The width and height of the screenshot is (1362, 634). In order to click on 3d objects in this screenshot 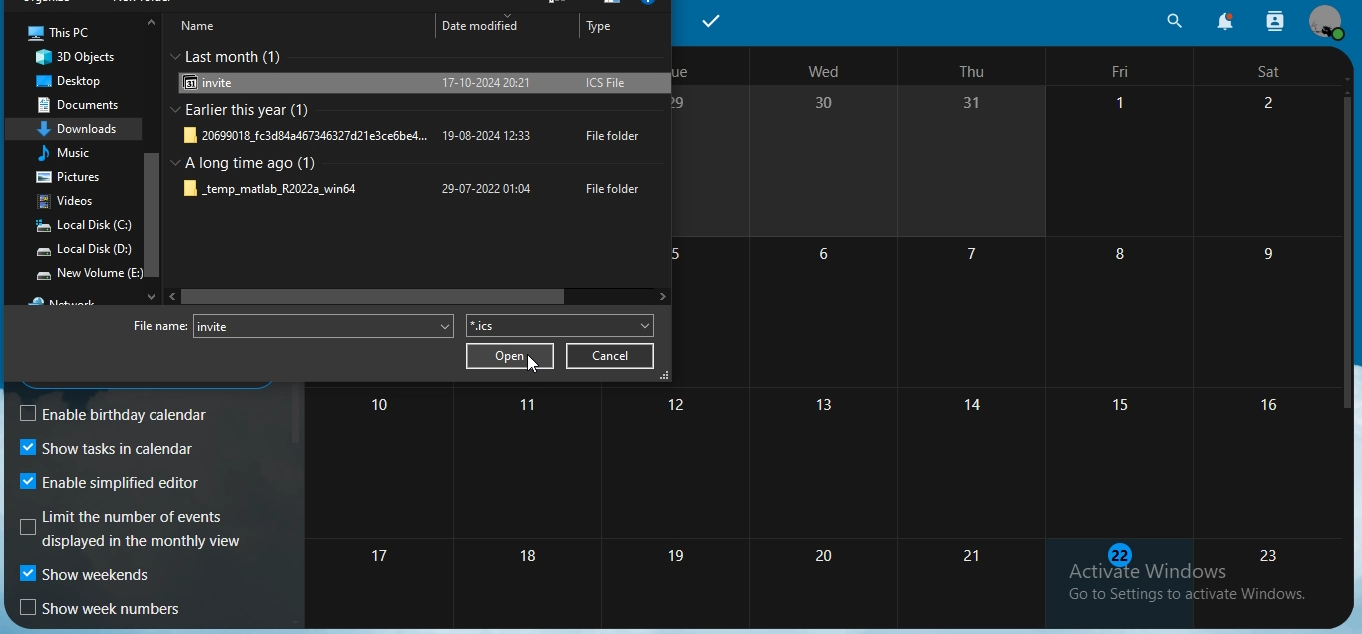, I will do `click(83, 57)`.